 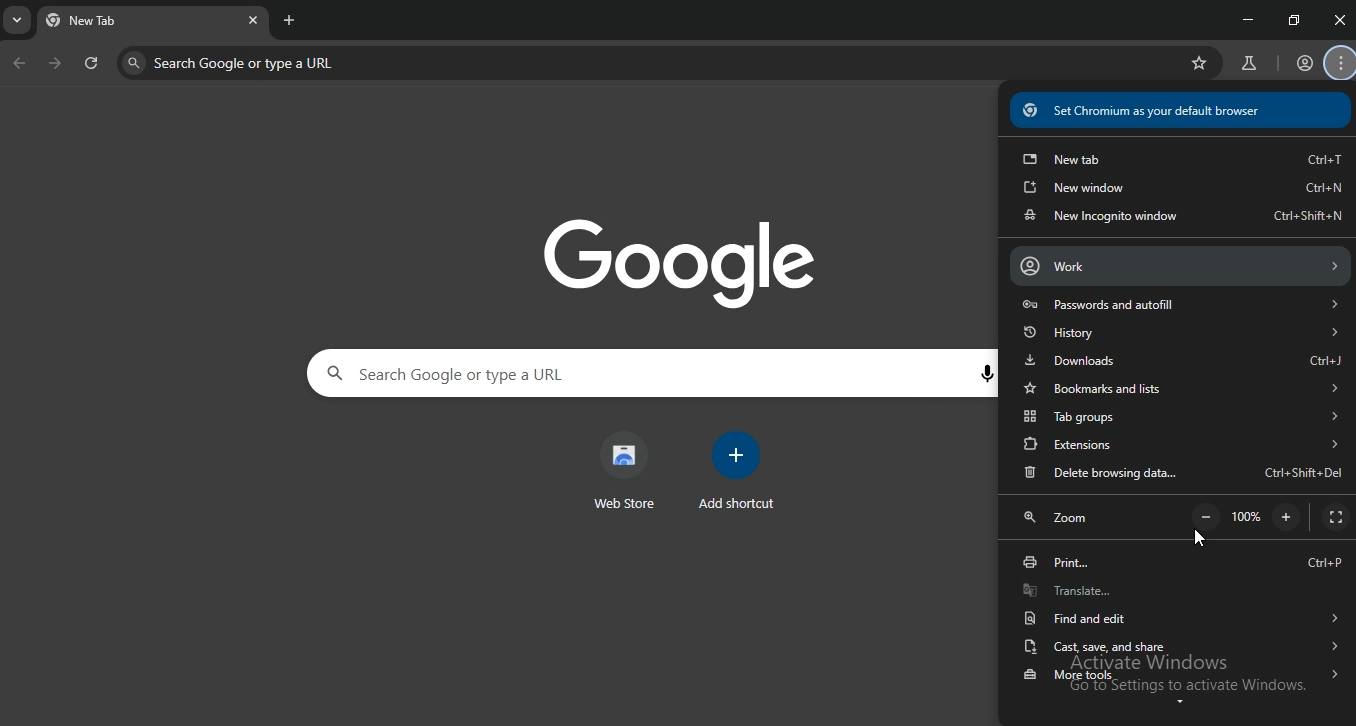 I want to click on close, so click(x=1340, y=20).